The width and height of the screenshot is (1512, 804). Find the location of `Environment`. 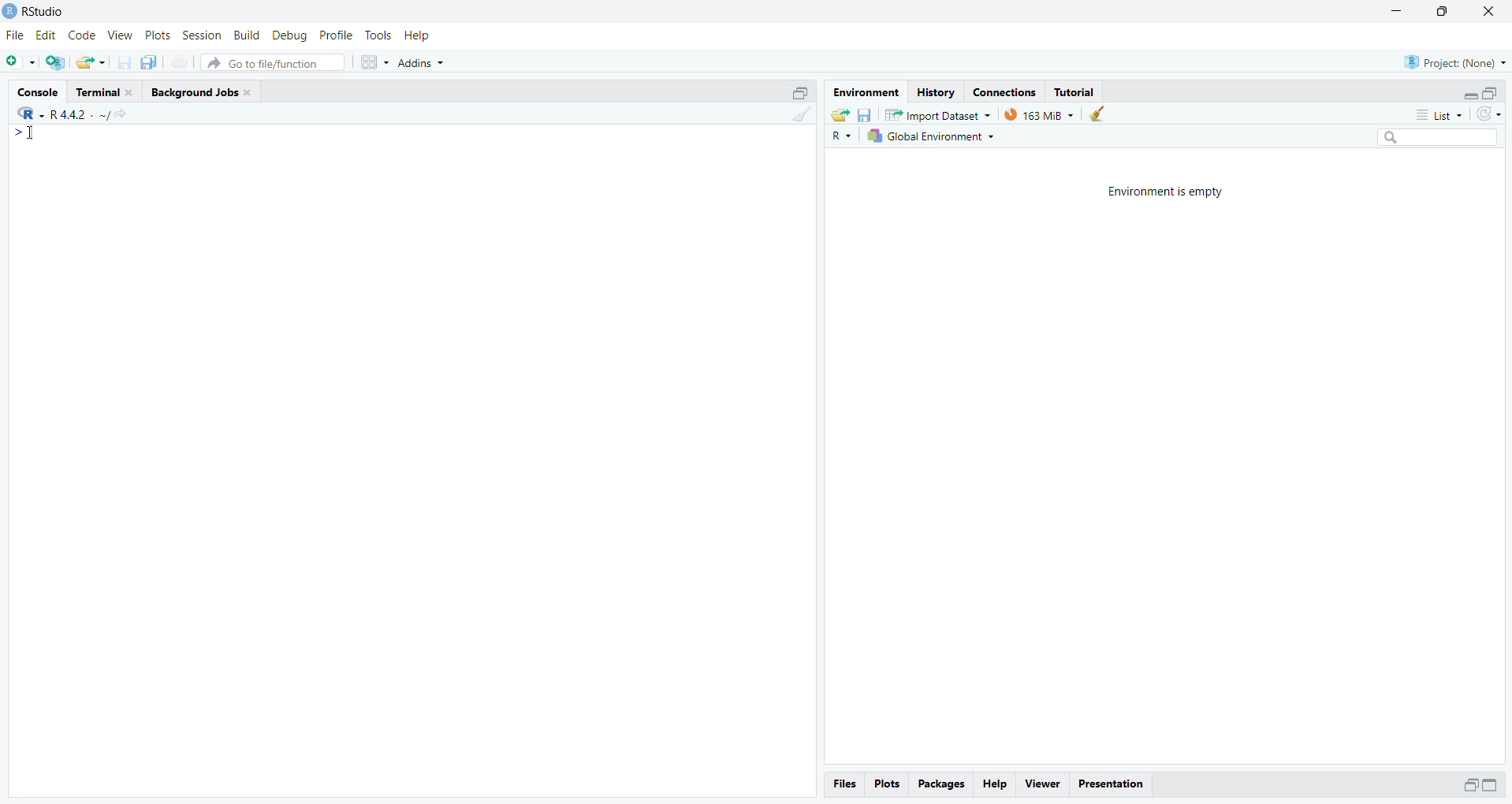

Environment is located at coordinates (867, 93).